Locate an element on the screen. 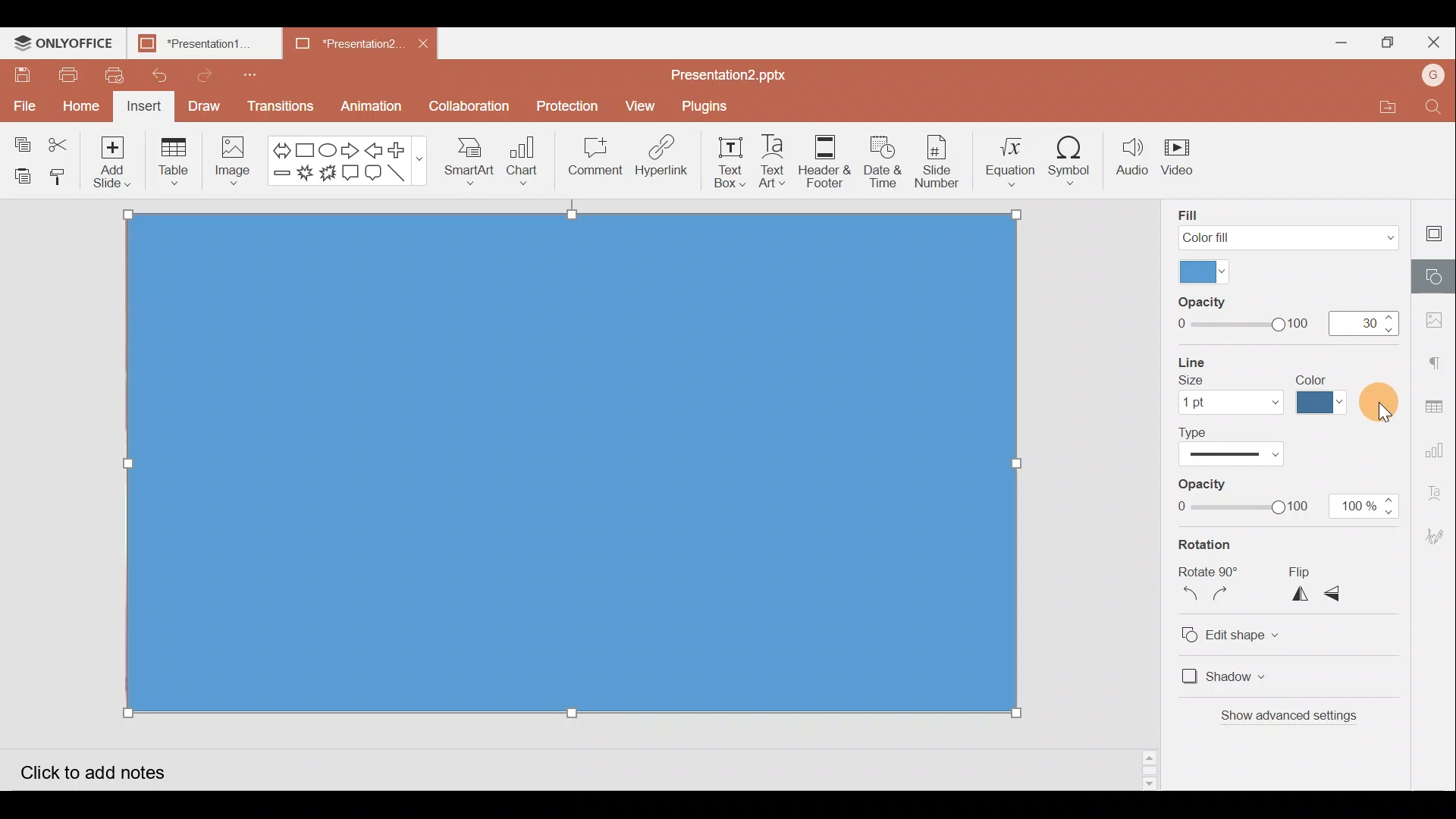 The width and height of the screenshot is (1456, 819). Insert is located at coordinates (146, 106).